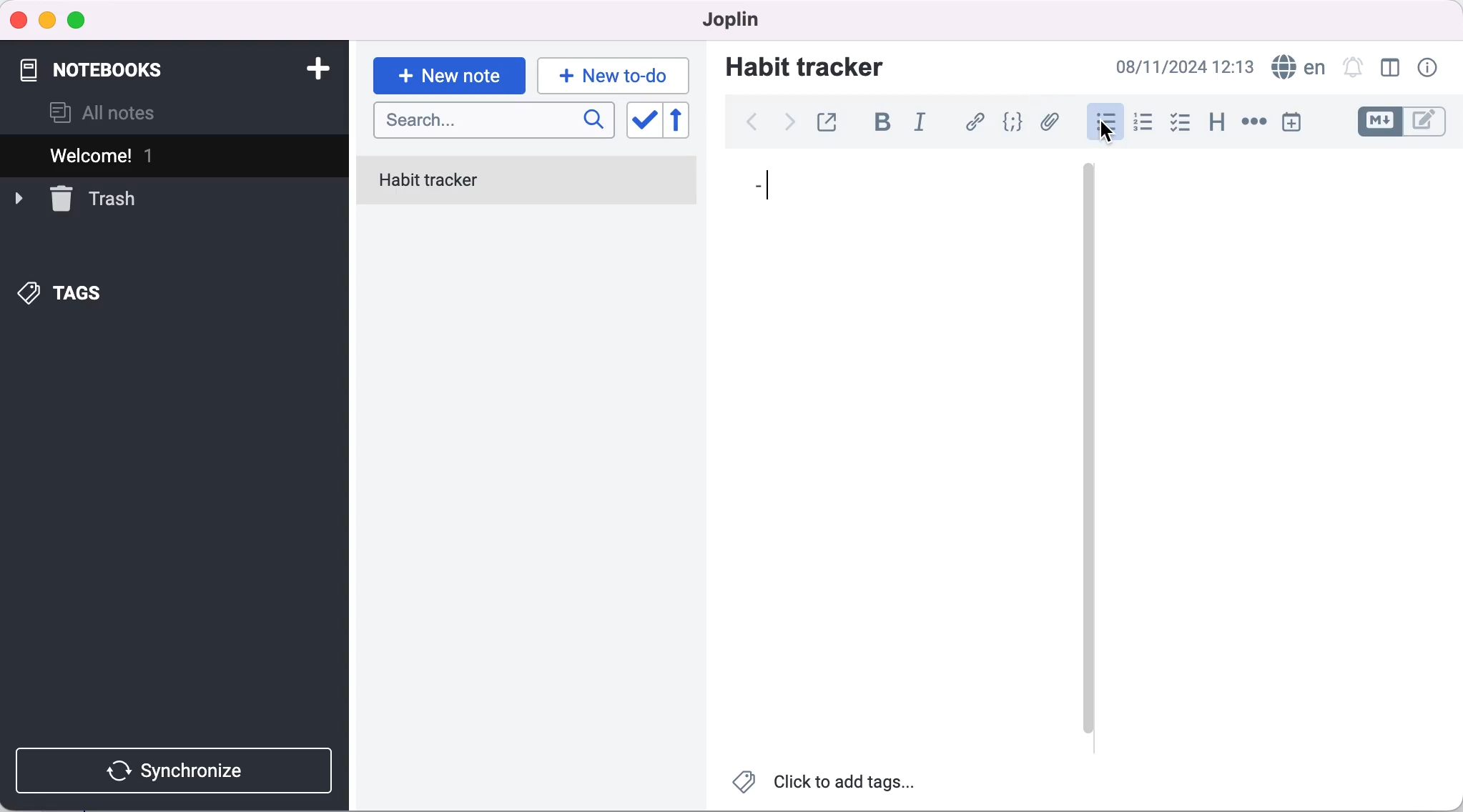 This screenshot has width=1463, height=812. I want to click on trash, so click(75, 197).